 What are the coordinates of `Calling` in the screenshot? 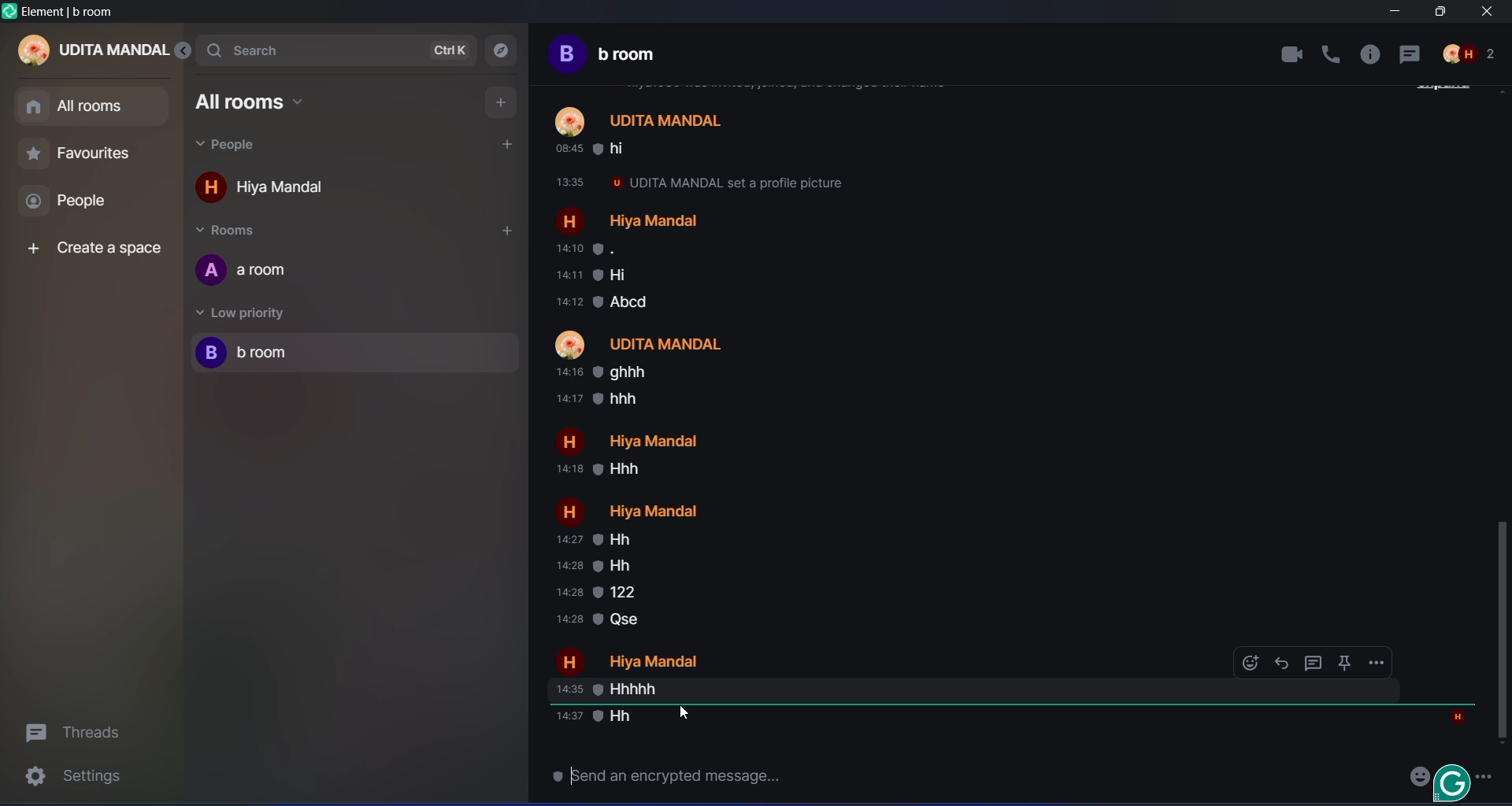 It's located at (1332, 54).